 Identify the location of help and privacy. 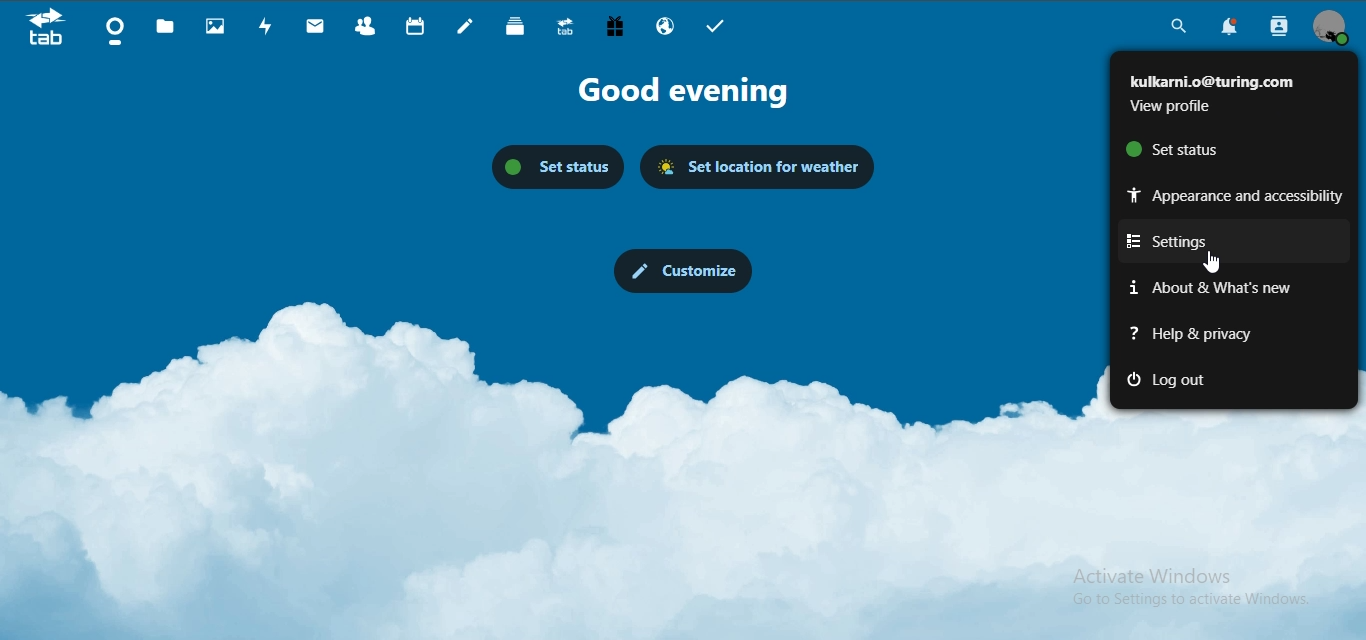
(1197, 337).